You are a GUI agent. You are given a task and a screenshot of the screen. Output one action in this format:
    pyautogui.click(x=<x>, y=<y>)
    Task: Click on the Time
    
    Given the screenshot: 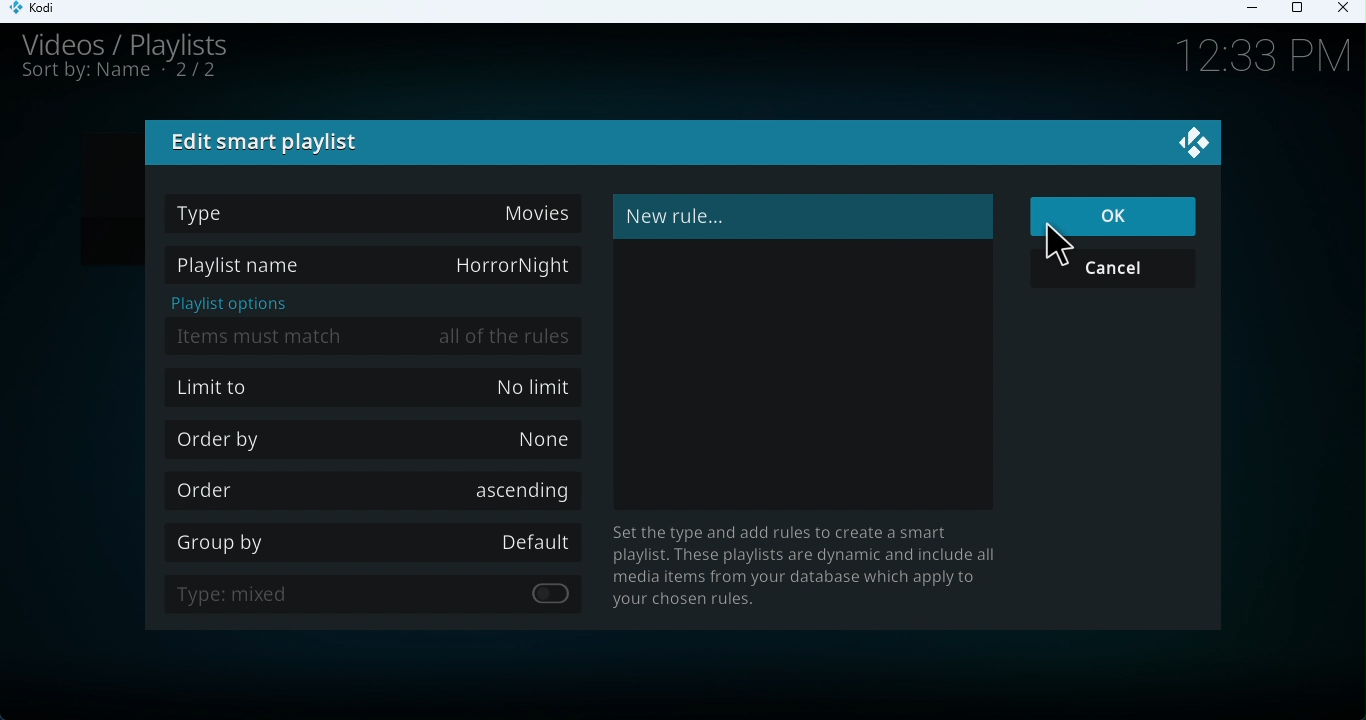 What is the action you would take?
    pyautogui.click(x=1252, y=58)
    